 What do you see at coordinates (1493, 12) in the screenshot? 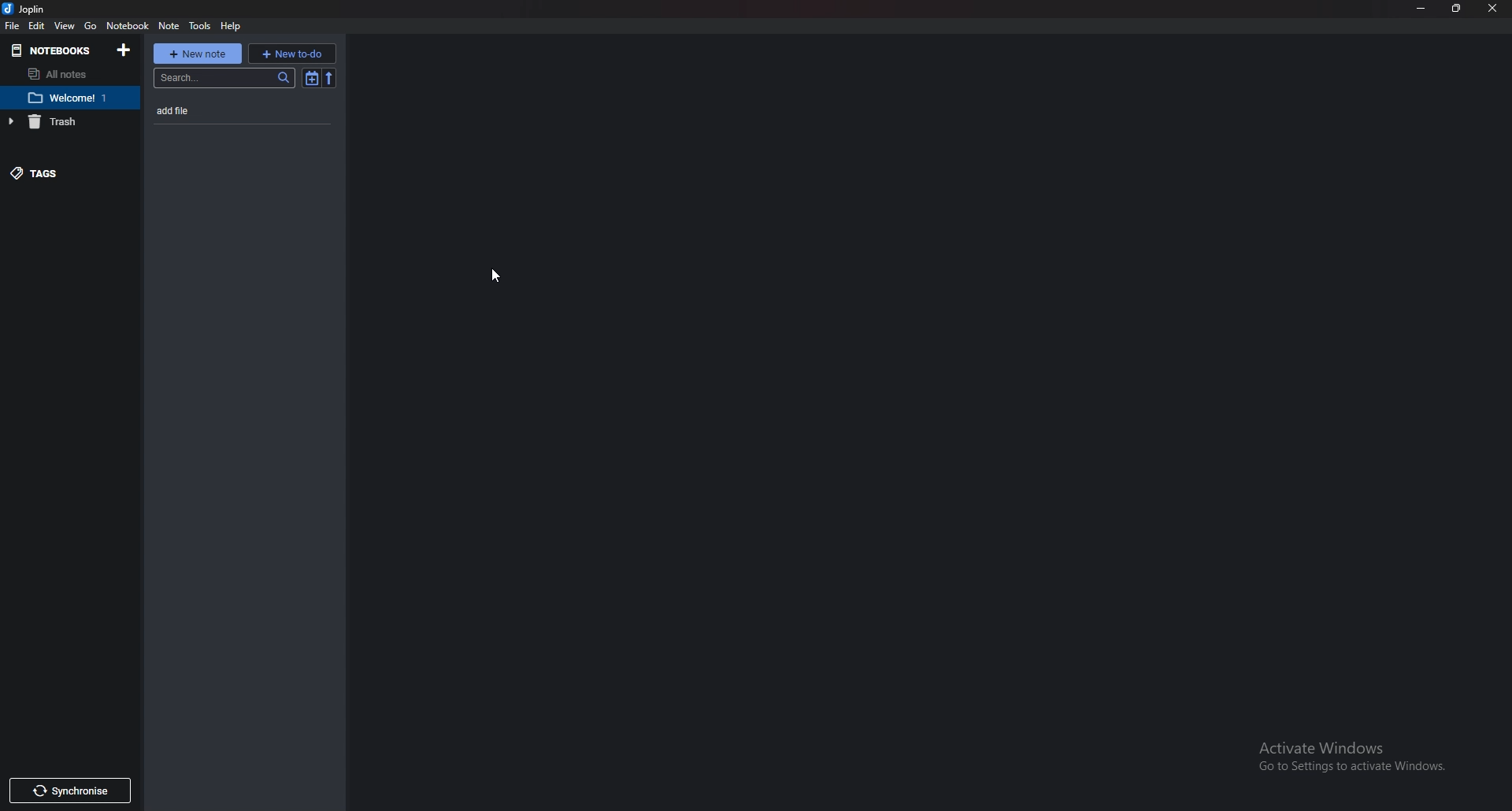
I see `close` at bounding box center [1493, 12].